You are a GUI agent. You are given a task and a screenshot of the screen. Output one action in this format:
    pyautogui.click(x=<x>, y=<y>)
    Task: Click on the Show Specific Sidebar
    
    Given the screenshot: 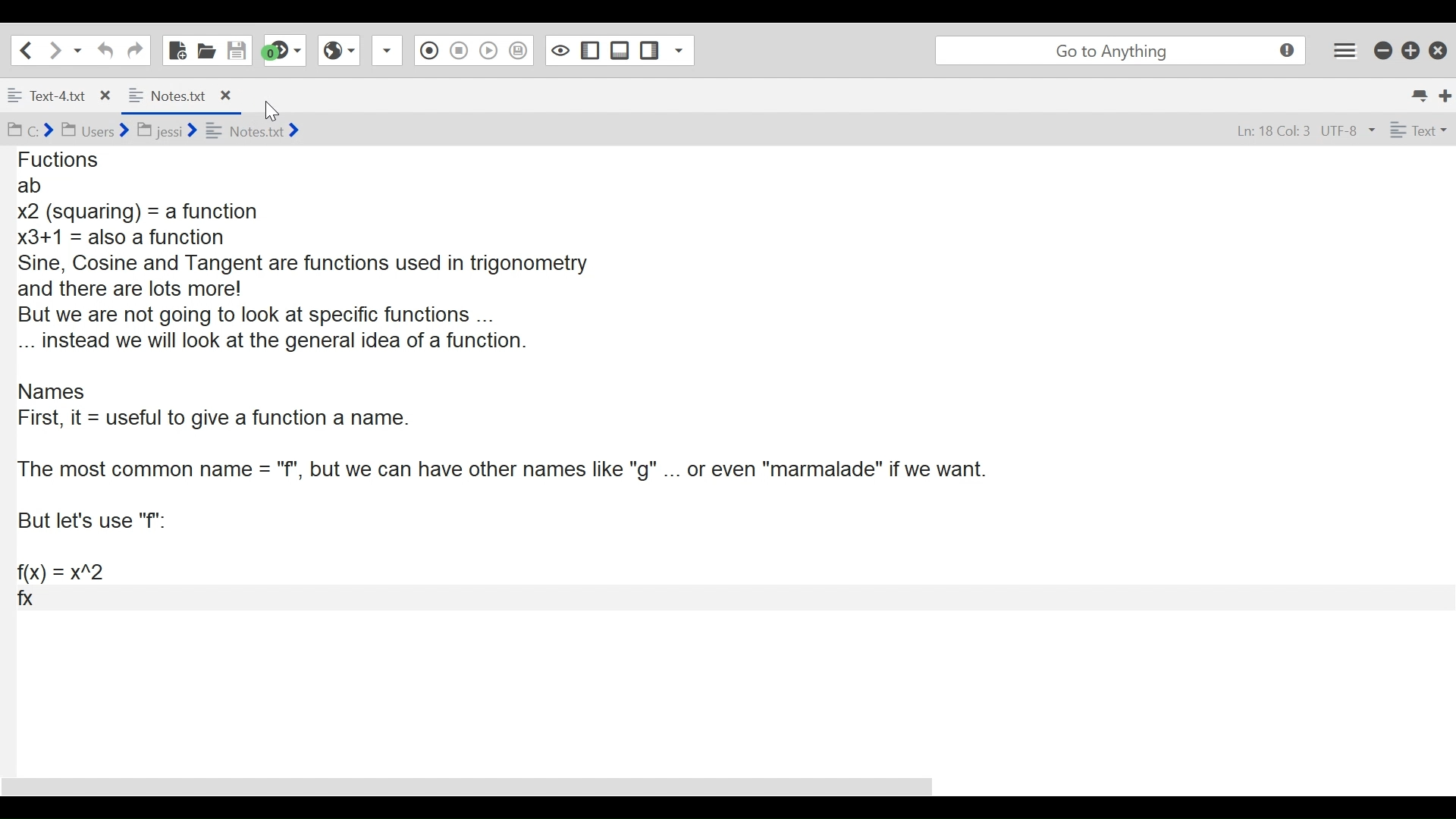 What is the action you would take?
    pyautogui.click(x=683, y=50)
    